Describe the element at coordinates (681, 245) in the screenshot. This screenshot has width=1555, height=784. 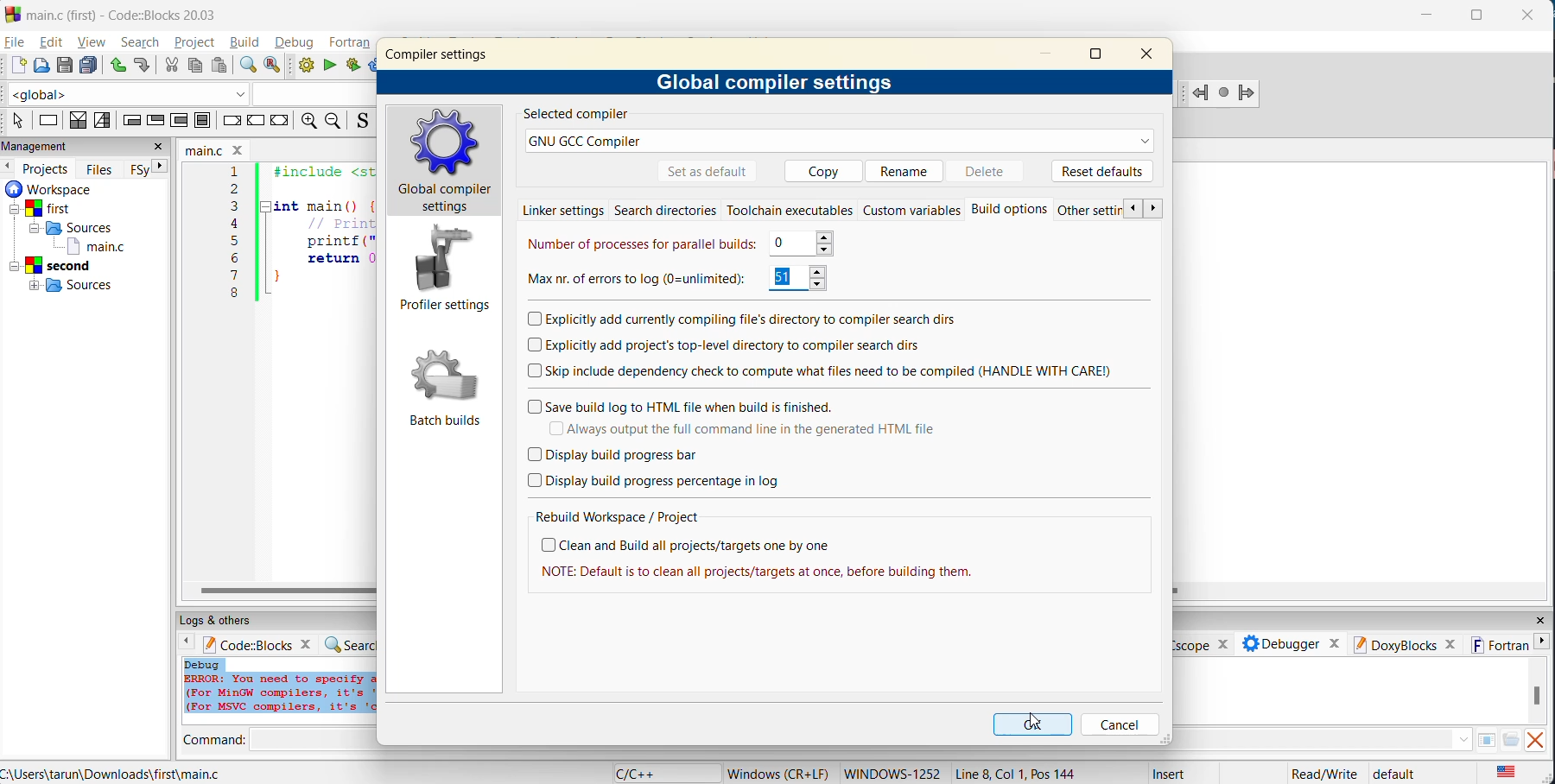
I see `number of processes for parallel builds 0` at that location.